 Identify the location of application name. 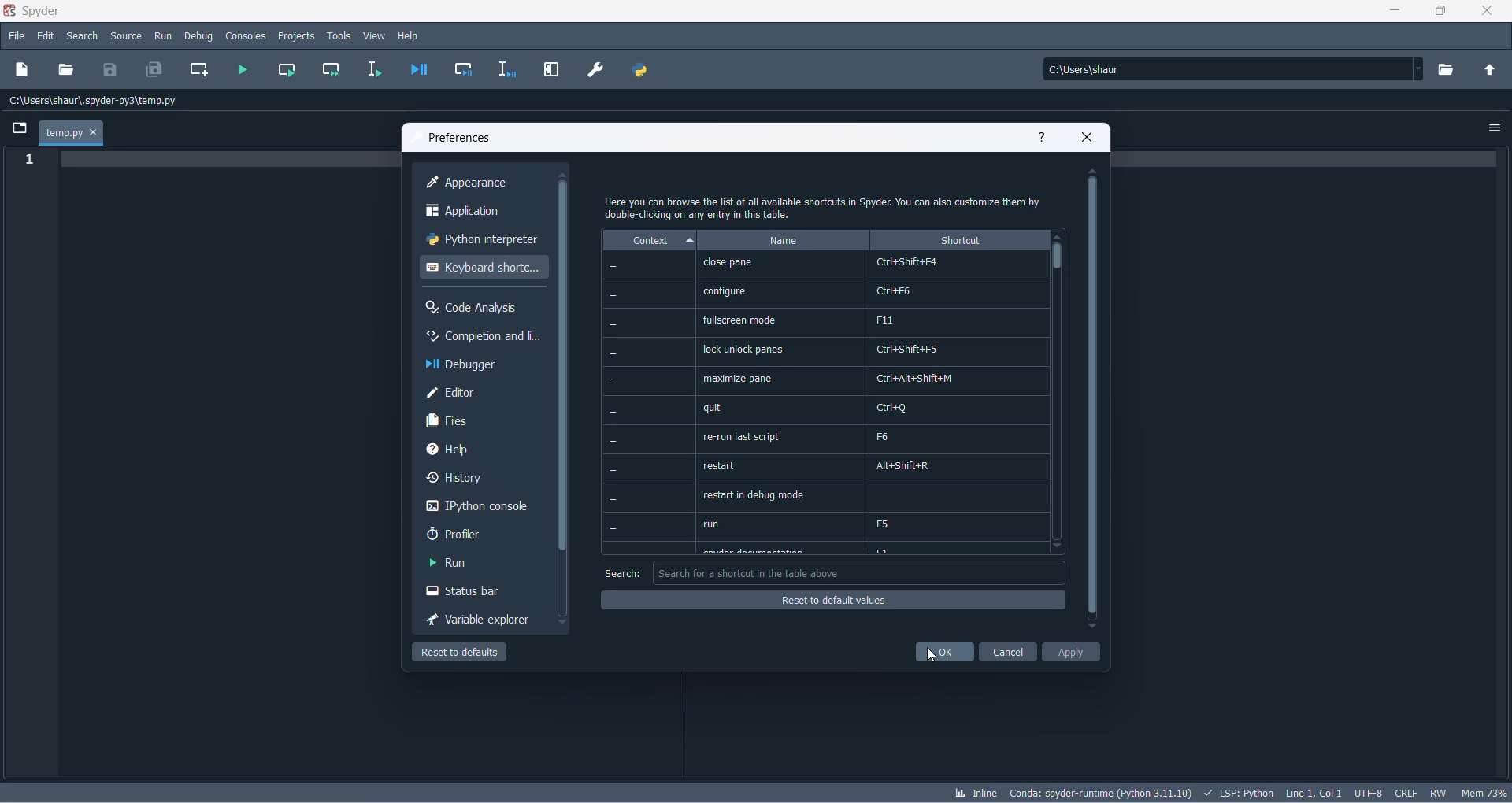
(34, 9).